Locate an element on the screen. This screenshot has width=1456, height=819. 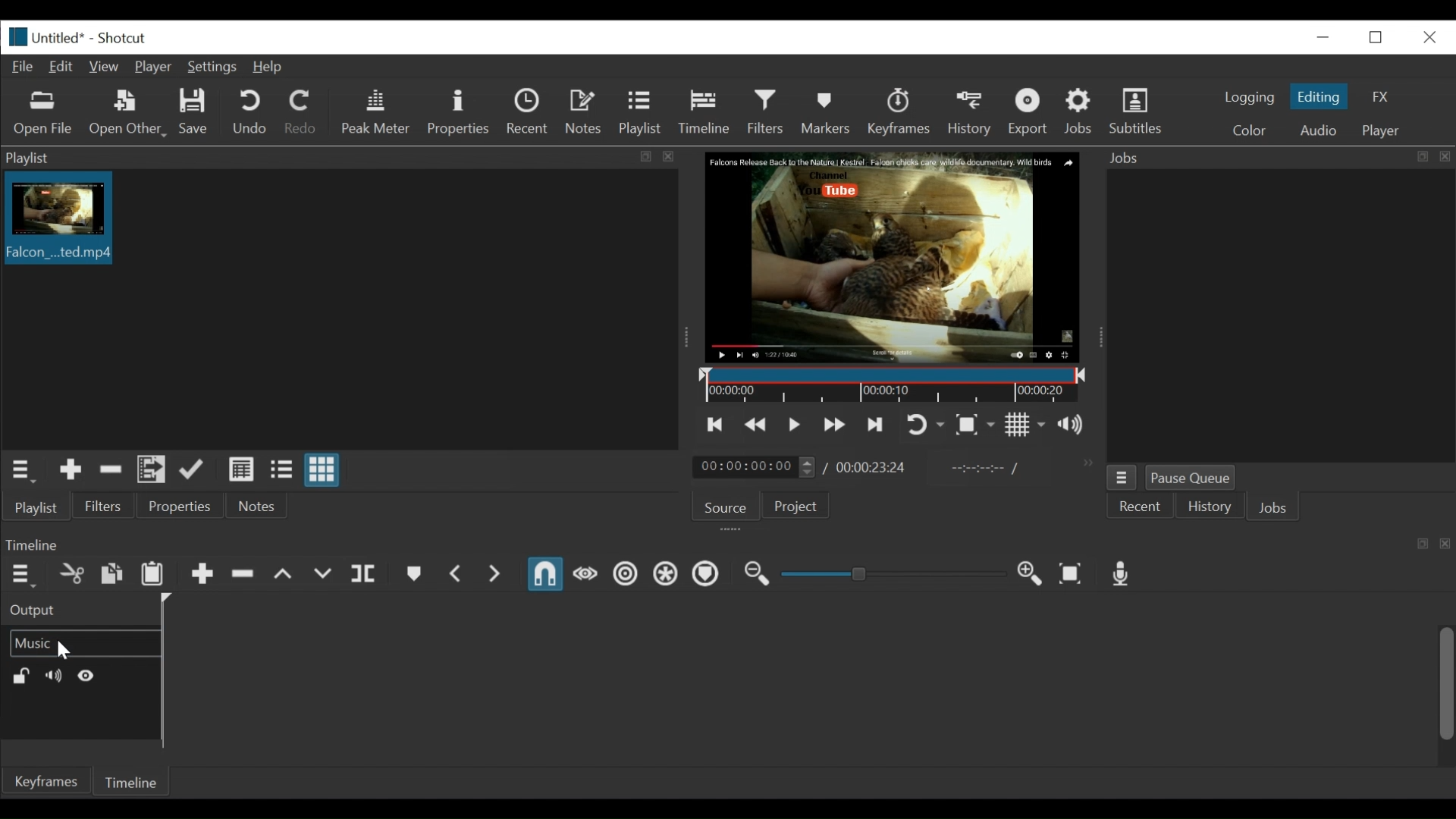
Paste is located at coordinates (153, 576).